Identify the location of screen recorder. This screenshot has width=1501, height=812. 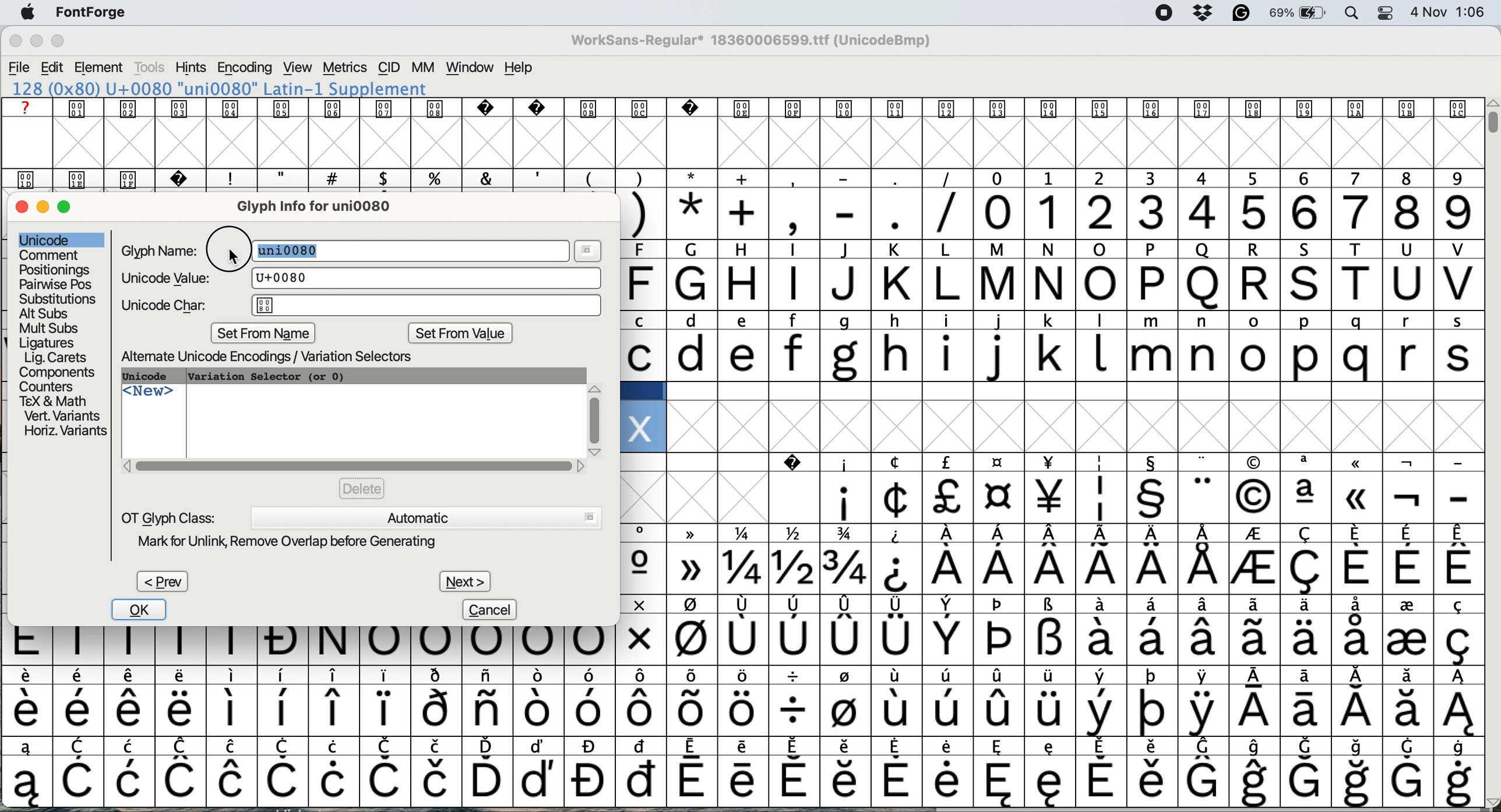
(1160, 13).